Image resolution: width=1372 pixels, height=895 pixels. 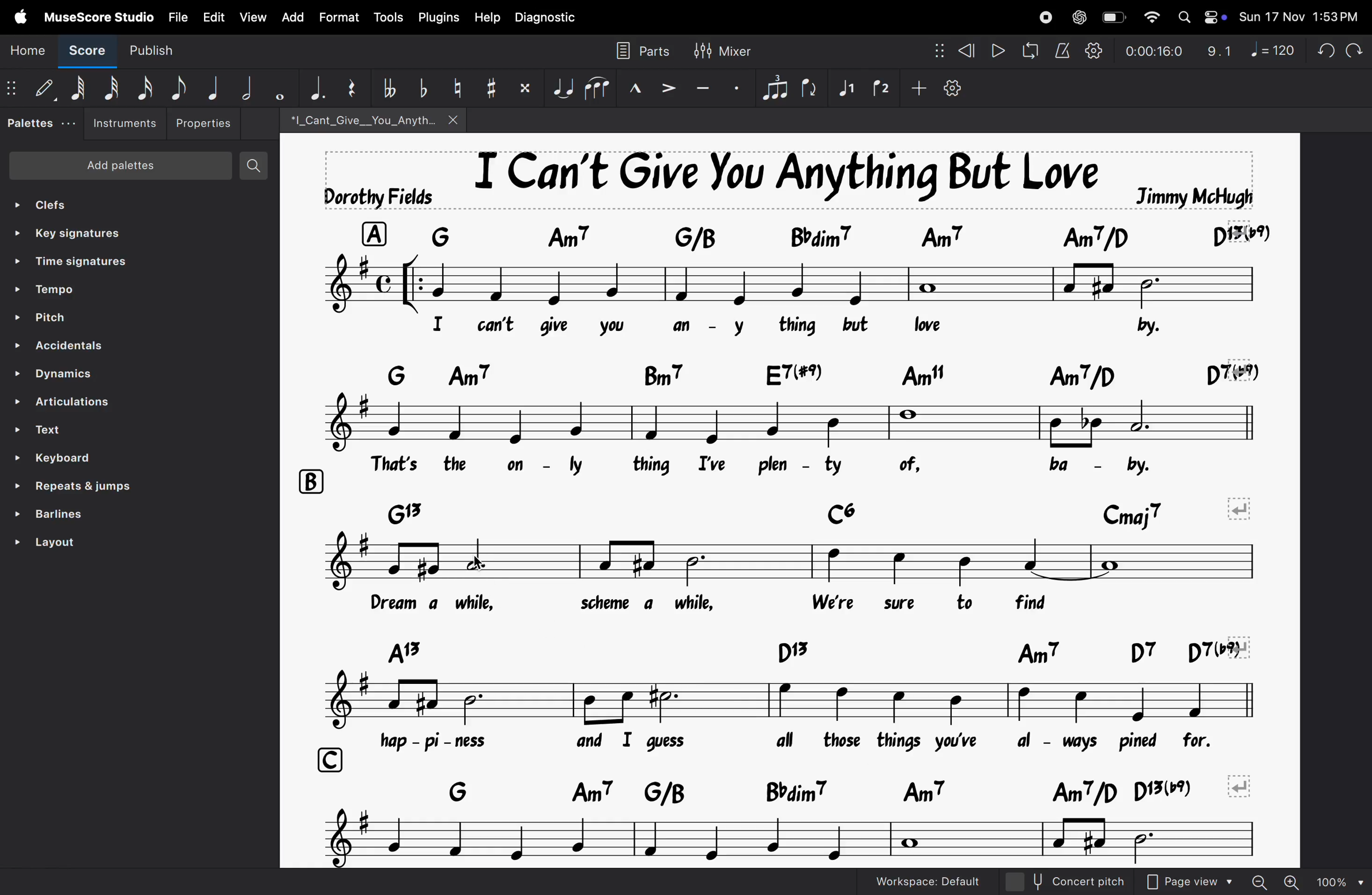 What do you see at coordinates (63, 201) in the screenshot?
I see `clefs` at bounding box center [63, 201].